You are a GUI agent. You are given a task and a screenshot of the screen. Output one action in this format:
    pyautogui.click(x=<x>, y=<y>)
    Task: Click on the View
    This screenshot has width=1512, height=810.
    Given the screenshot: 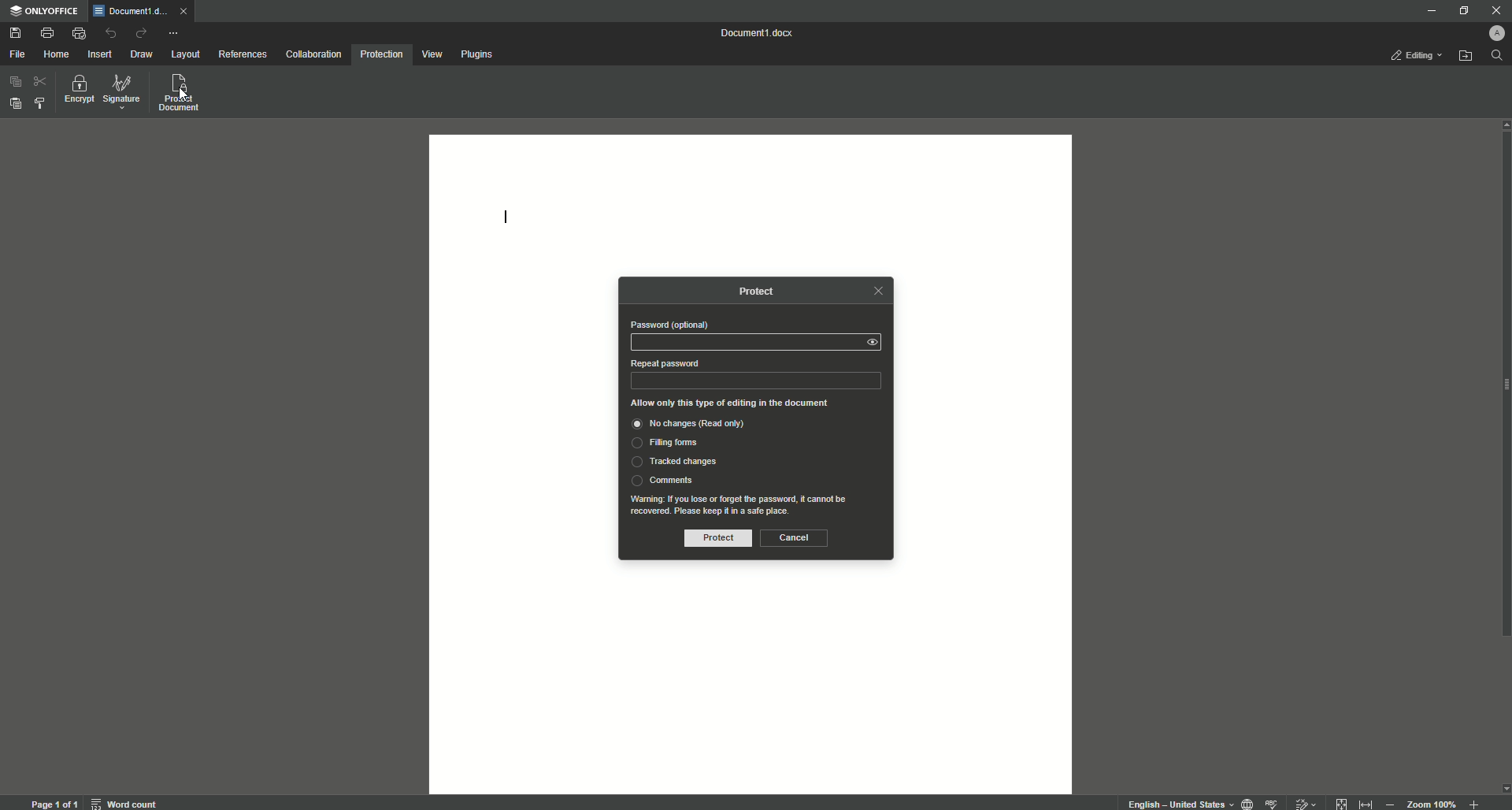 What is the action you would take?
    pyautogui.click(x=432, y=54)
    